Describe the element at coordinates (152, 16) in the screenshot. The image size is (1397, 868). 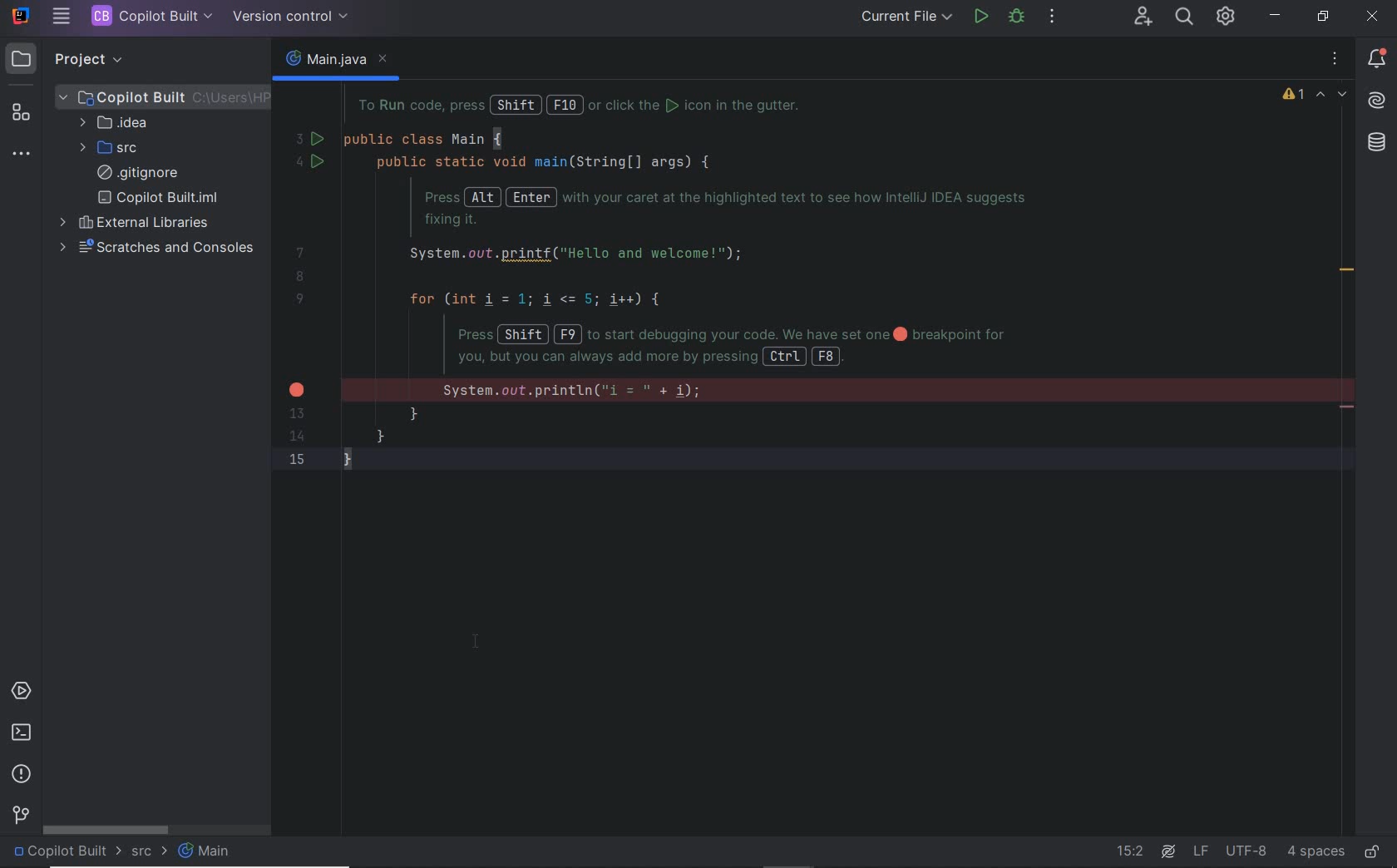
I see `PROJECT FILE NAME` at that location.